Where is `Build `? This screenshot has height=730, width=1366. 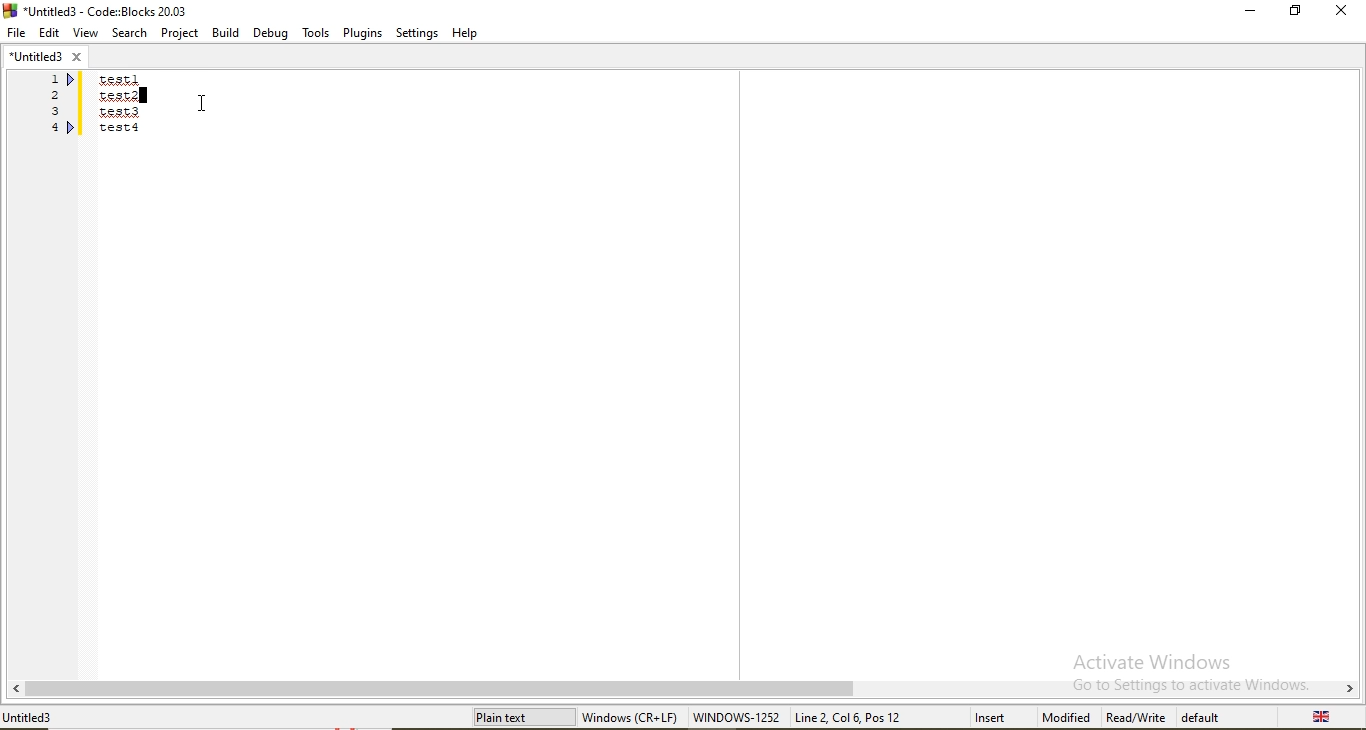
Build  is located at coordinates (227, 33).